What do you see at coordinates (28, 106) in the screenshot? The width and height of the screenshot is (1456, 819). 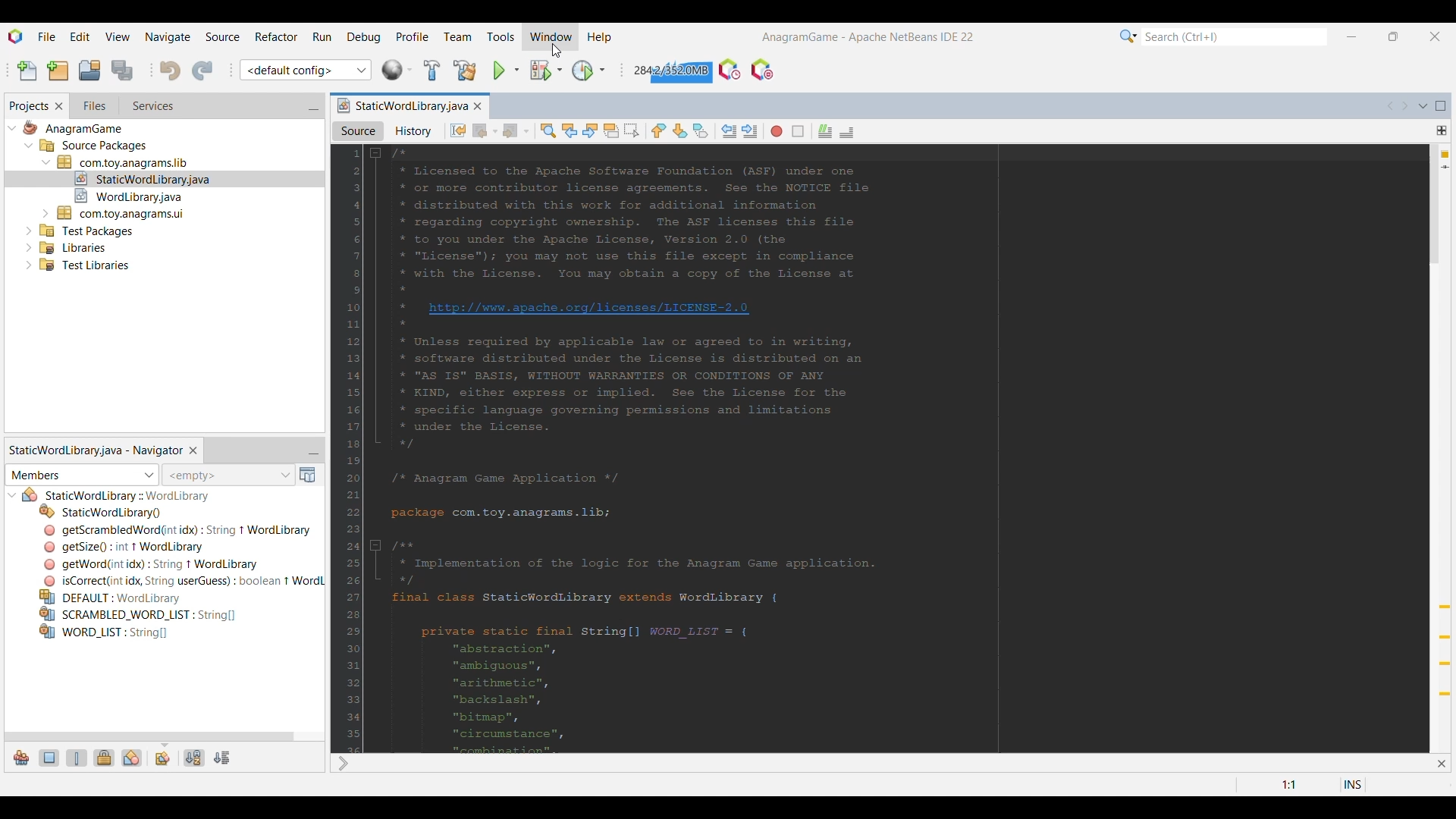 I see `Current selection` at bounding box center [28, 106].